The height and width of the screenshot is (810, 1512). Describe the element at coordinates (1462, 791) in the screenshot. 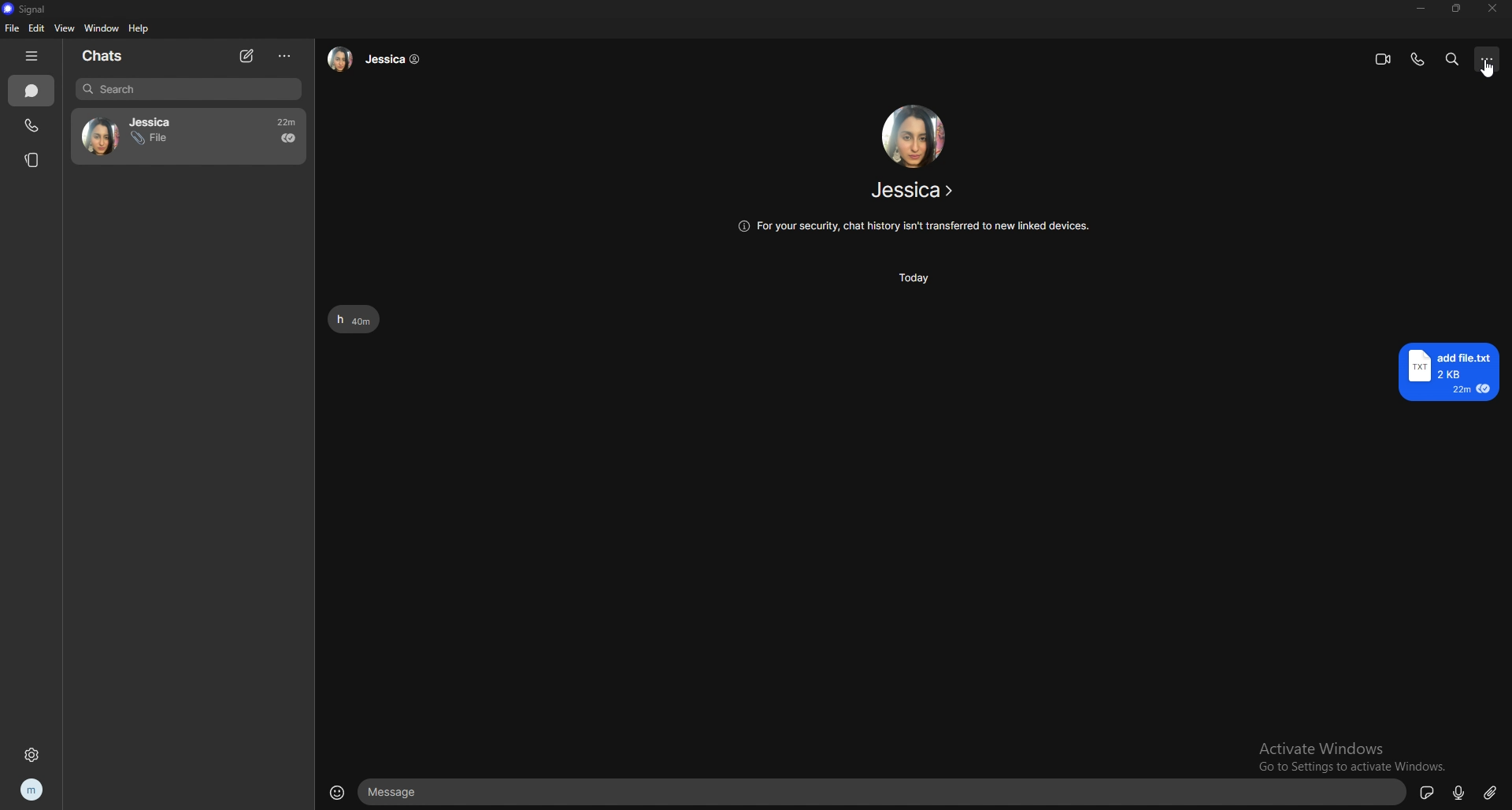

I see `voice type` at that location.